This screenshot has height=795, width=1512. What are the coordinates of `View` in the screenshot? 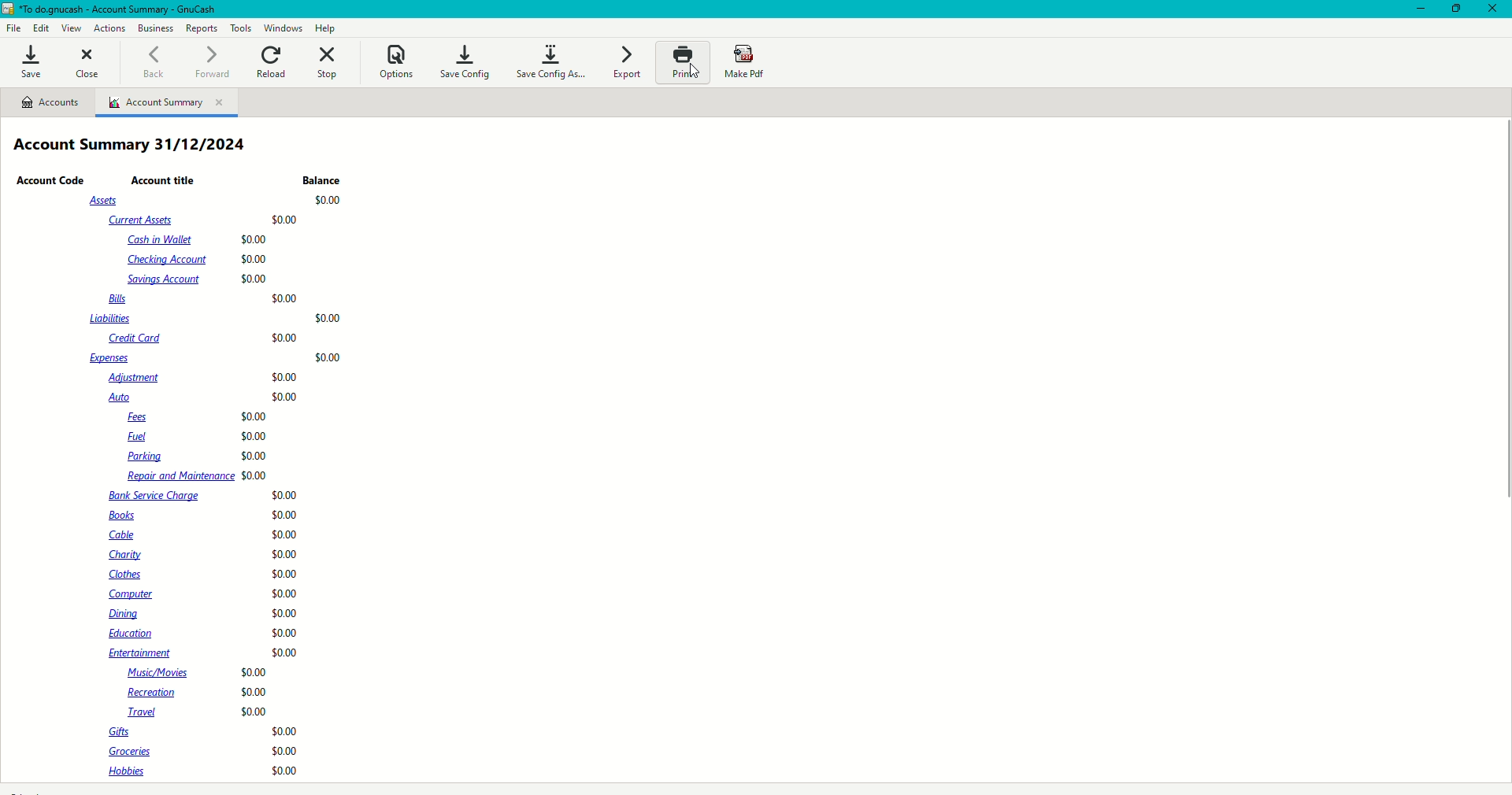 It's located at (72, 29).